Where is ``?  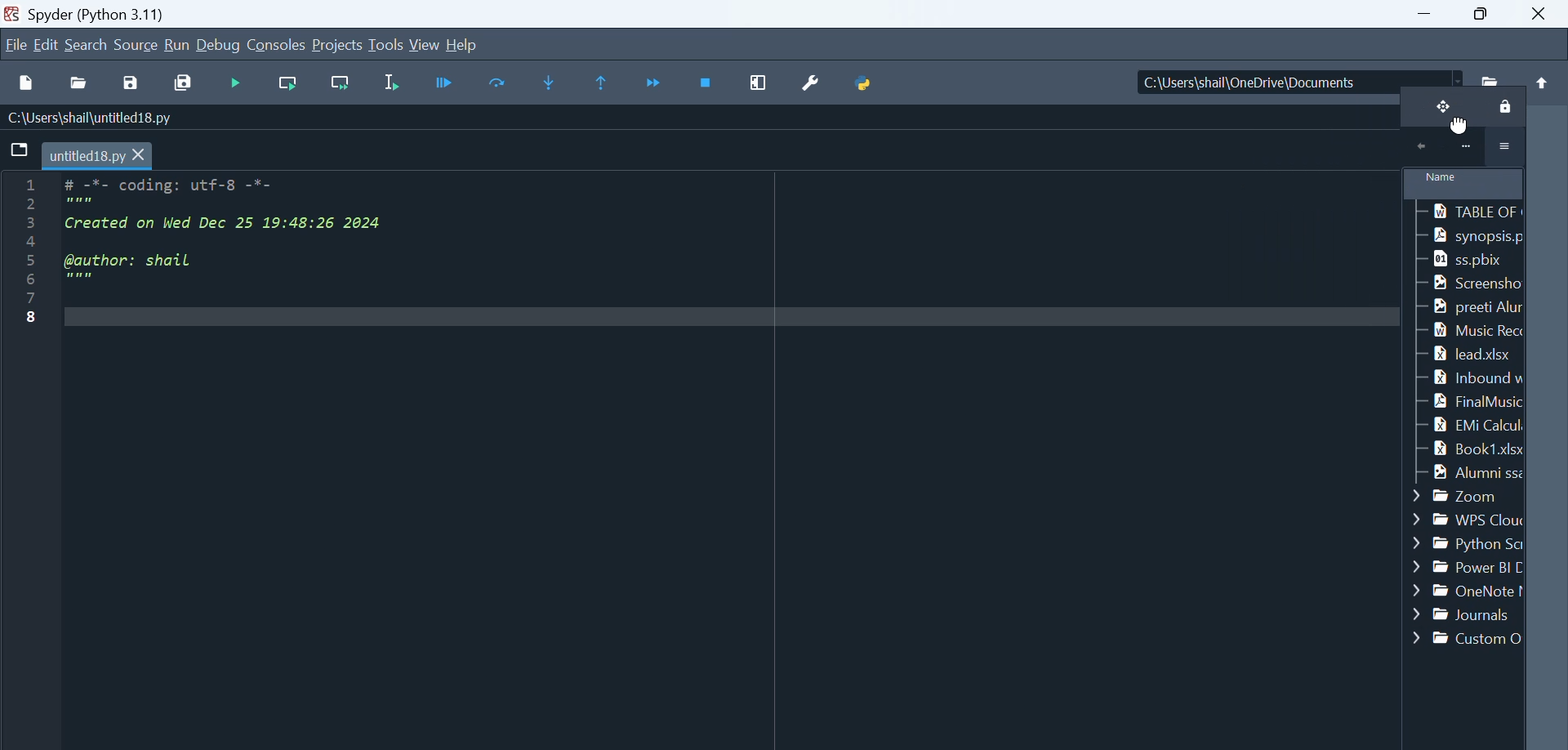  is located at coordinates (48, 44).